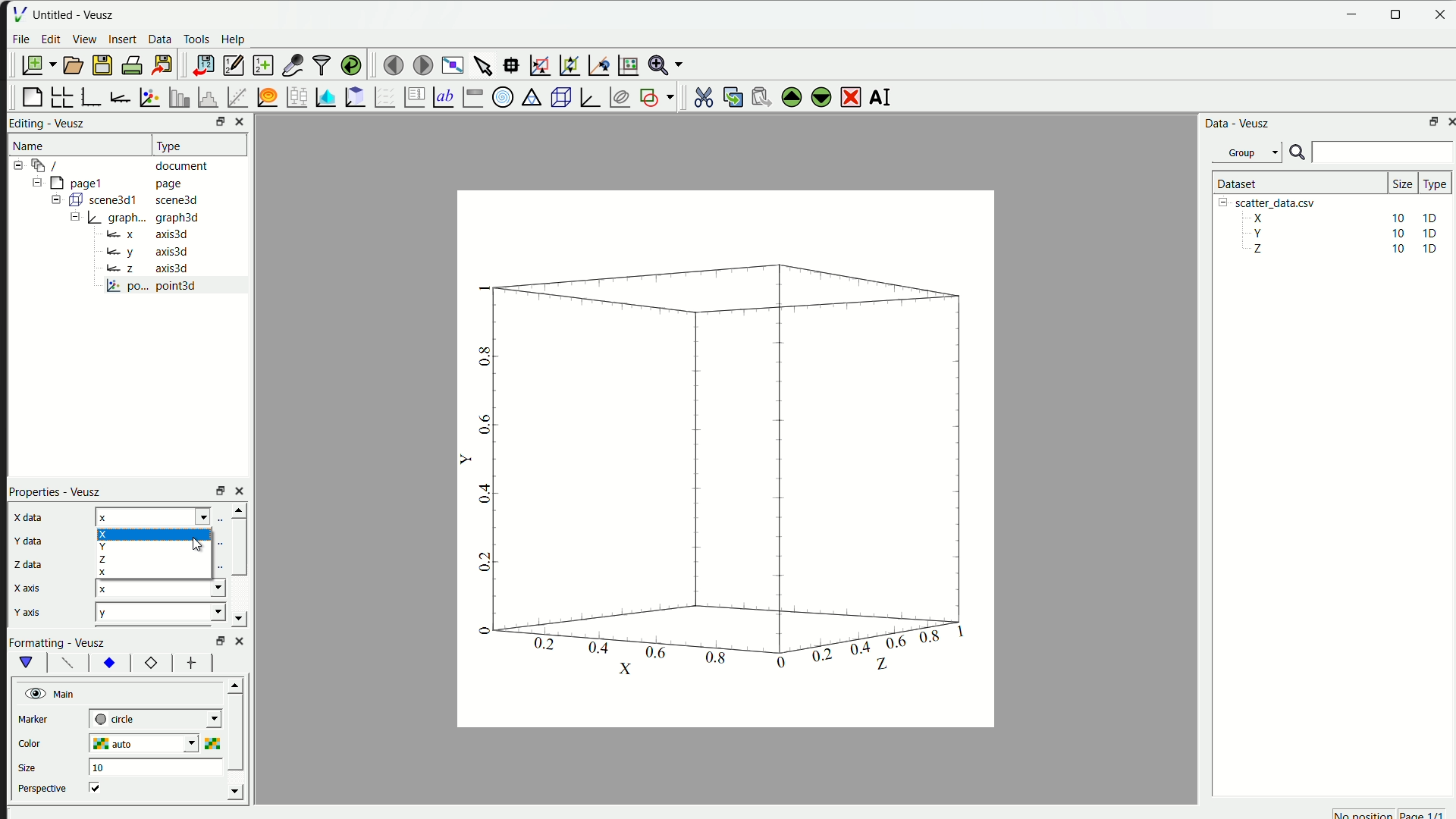 The width and height of the screenshot is (1456, 819). I want to click on Data - Veusz, so click(1235, 124).